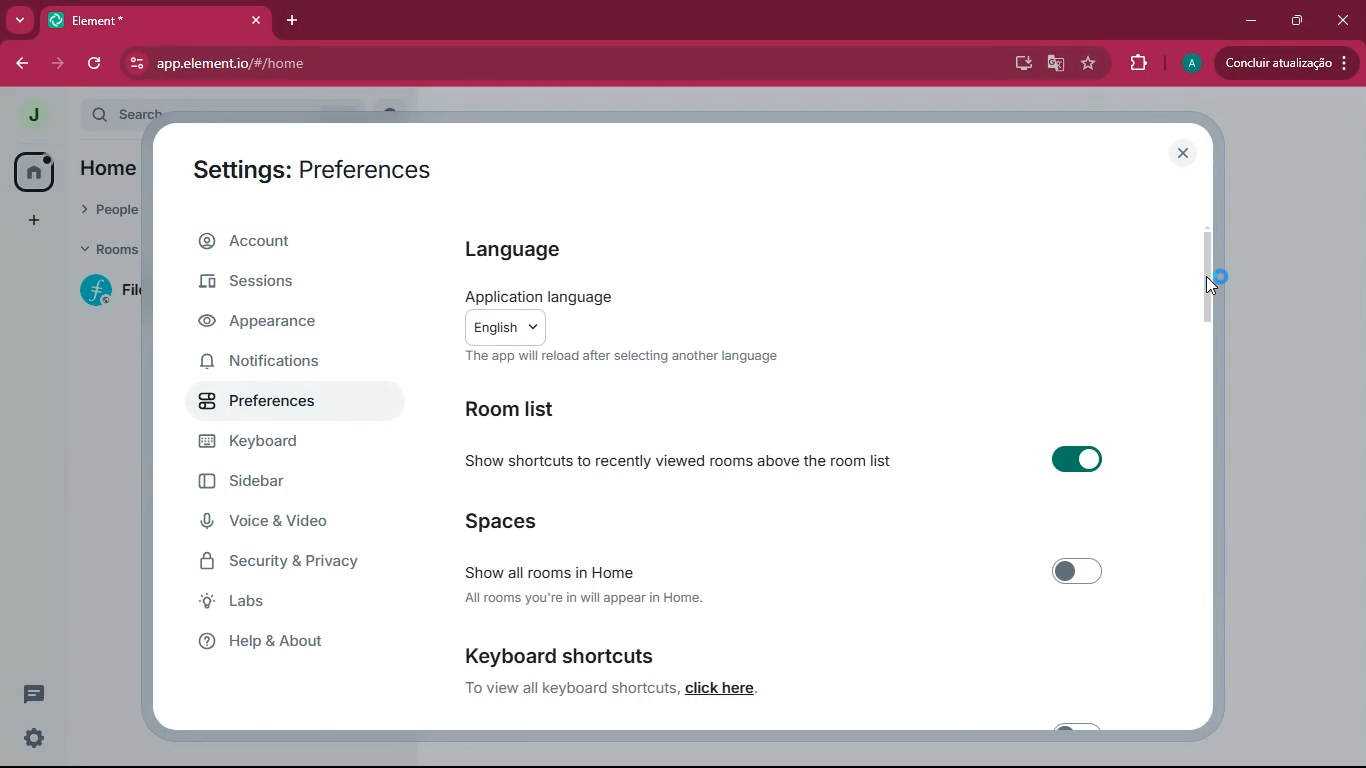 The width and height of the screenshot is (1366, 768). Describe the element at coordinates (20, 63) in the screenshot. I see `back` at that location.